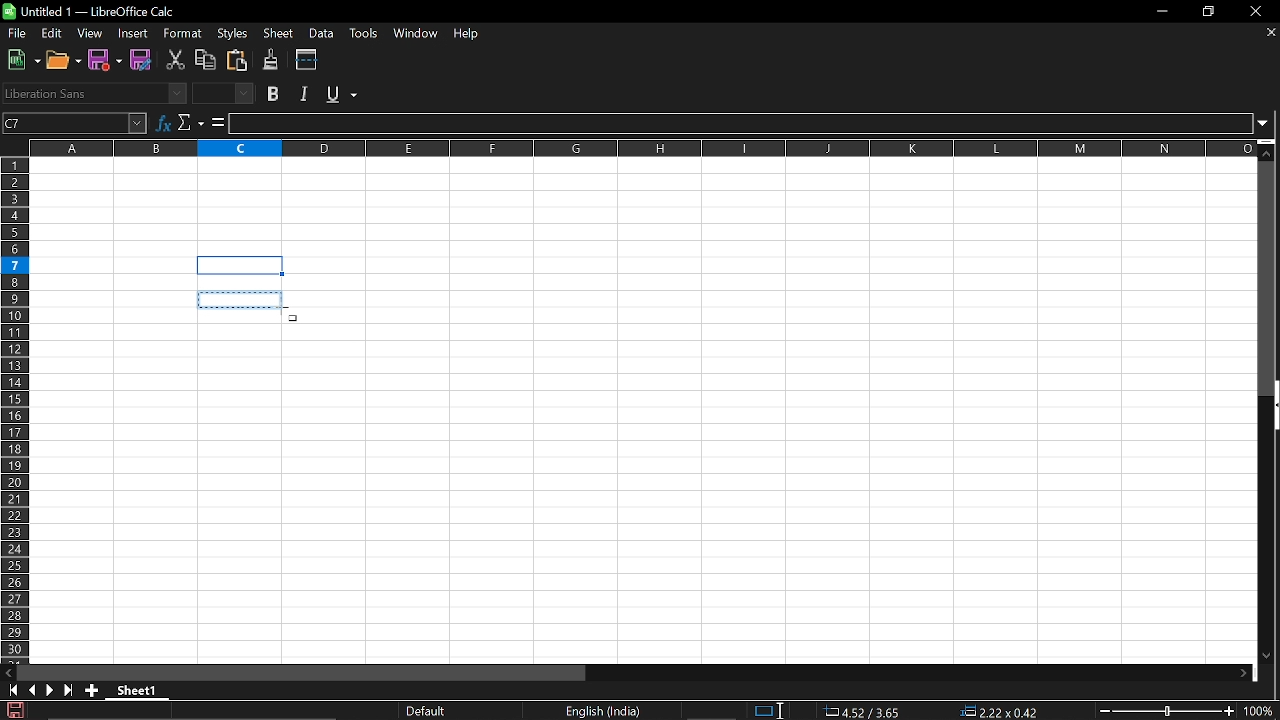  What do you see at coordinates (235, 60) in the screenshot?
I see `Paste` at bounding box center [235, 60].